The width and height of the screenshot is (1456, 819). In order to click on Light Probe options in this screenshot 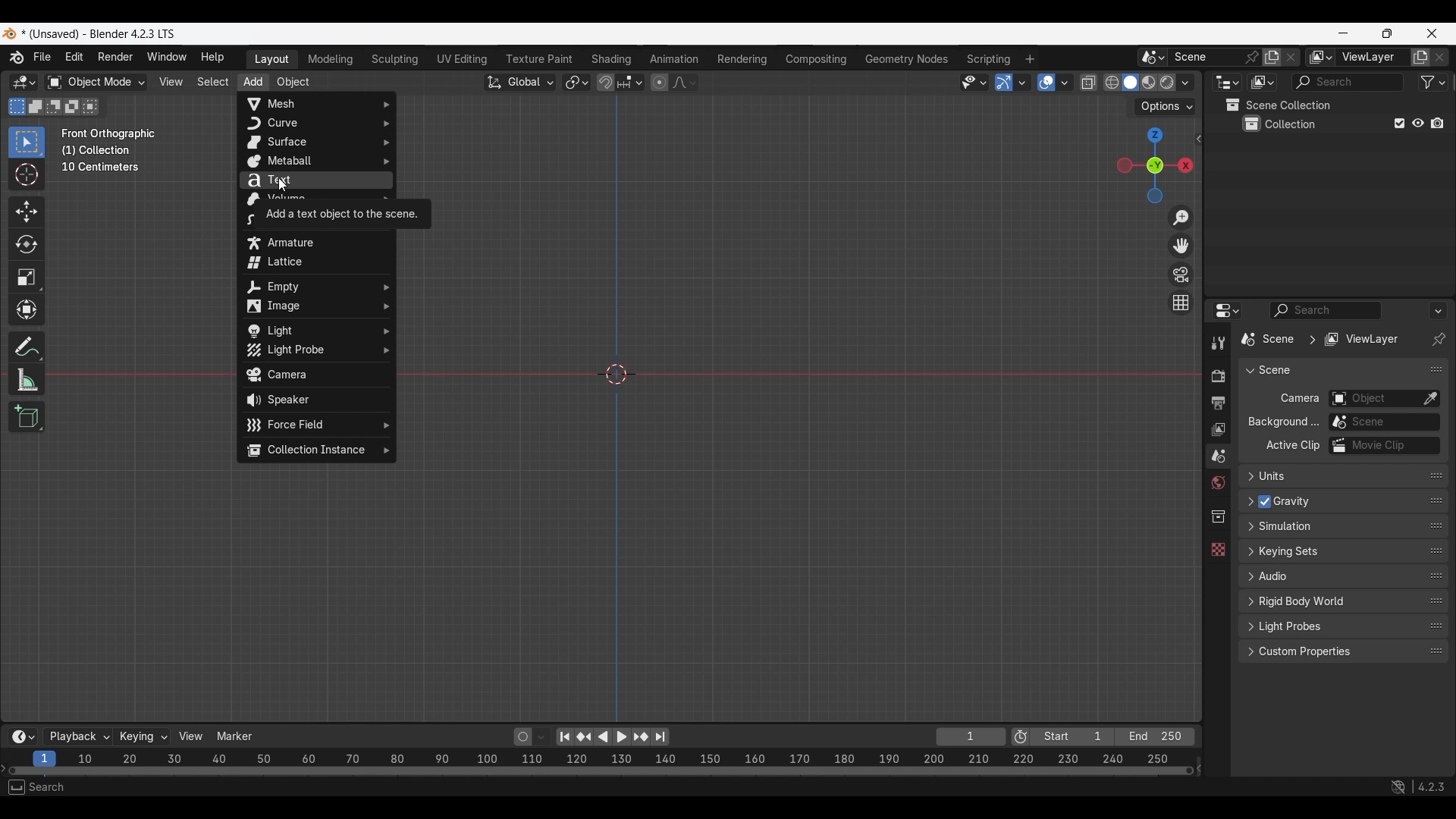, I will do `click(316, 351)`.